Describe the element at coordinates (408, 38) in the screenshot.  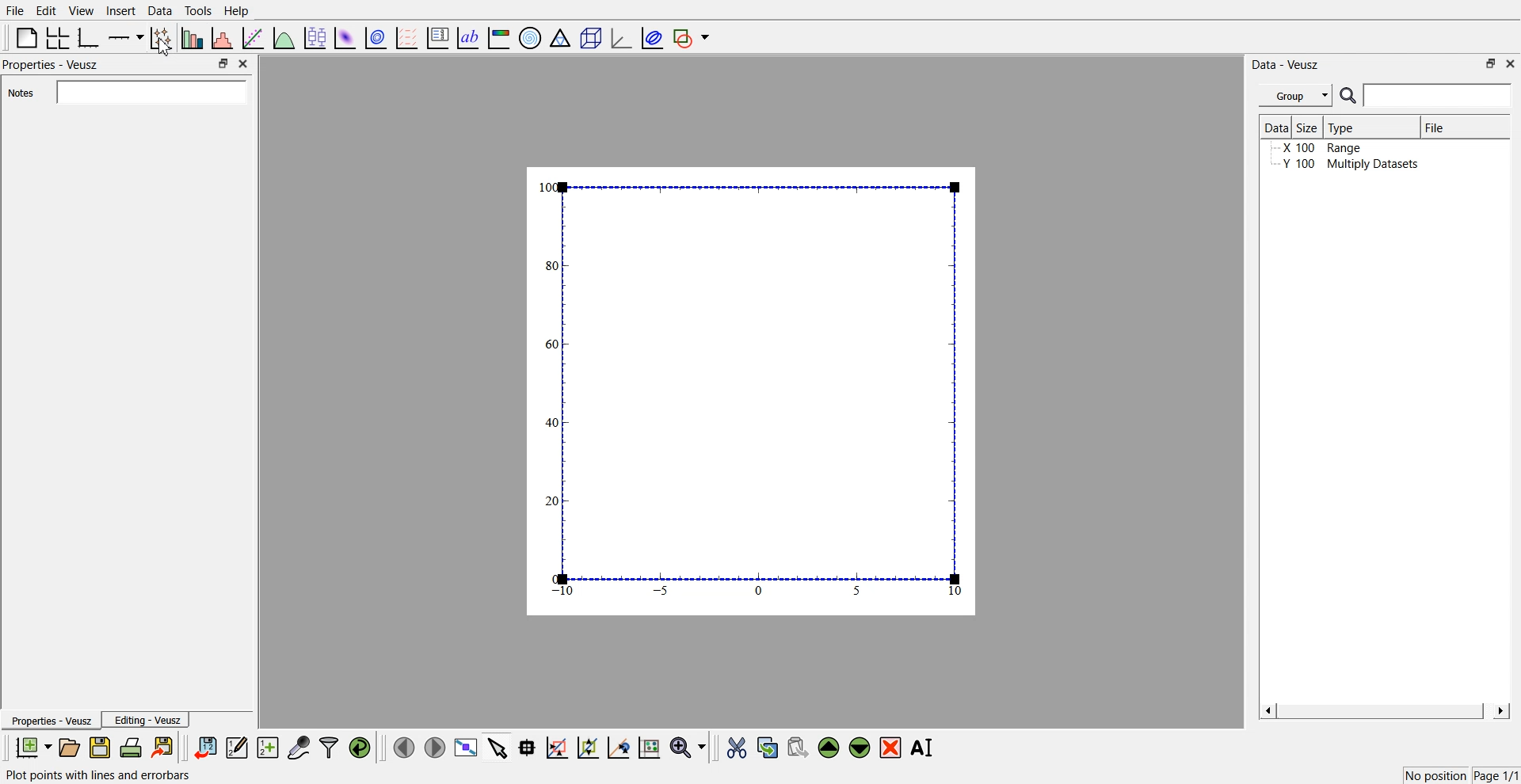
I see `plot a vector set` at that location.